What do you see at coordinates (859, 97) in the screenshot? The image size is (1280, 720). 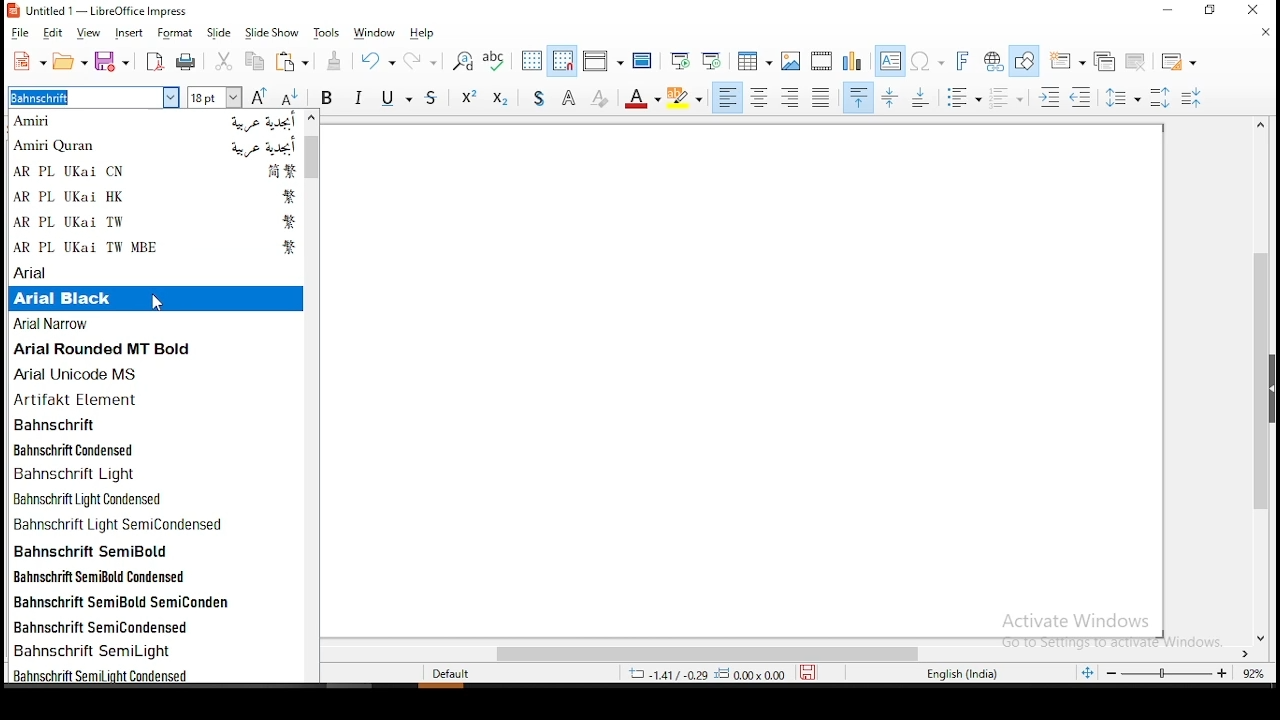 I see `align top` at bounding box center [859, 97].